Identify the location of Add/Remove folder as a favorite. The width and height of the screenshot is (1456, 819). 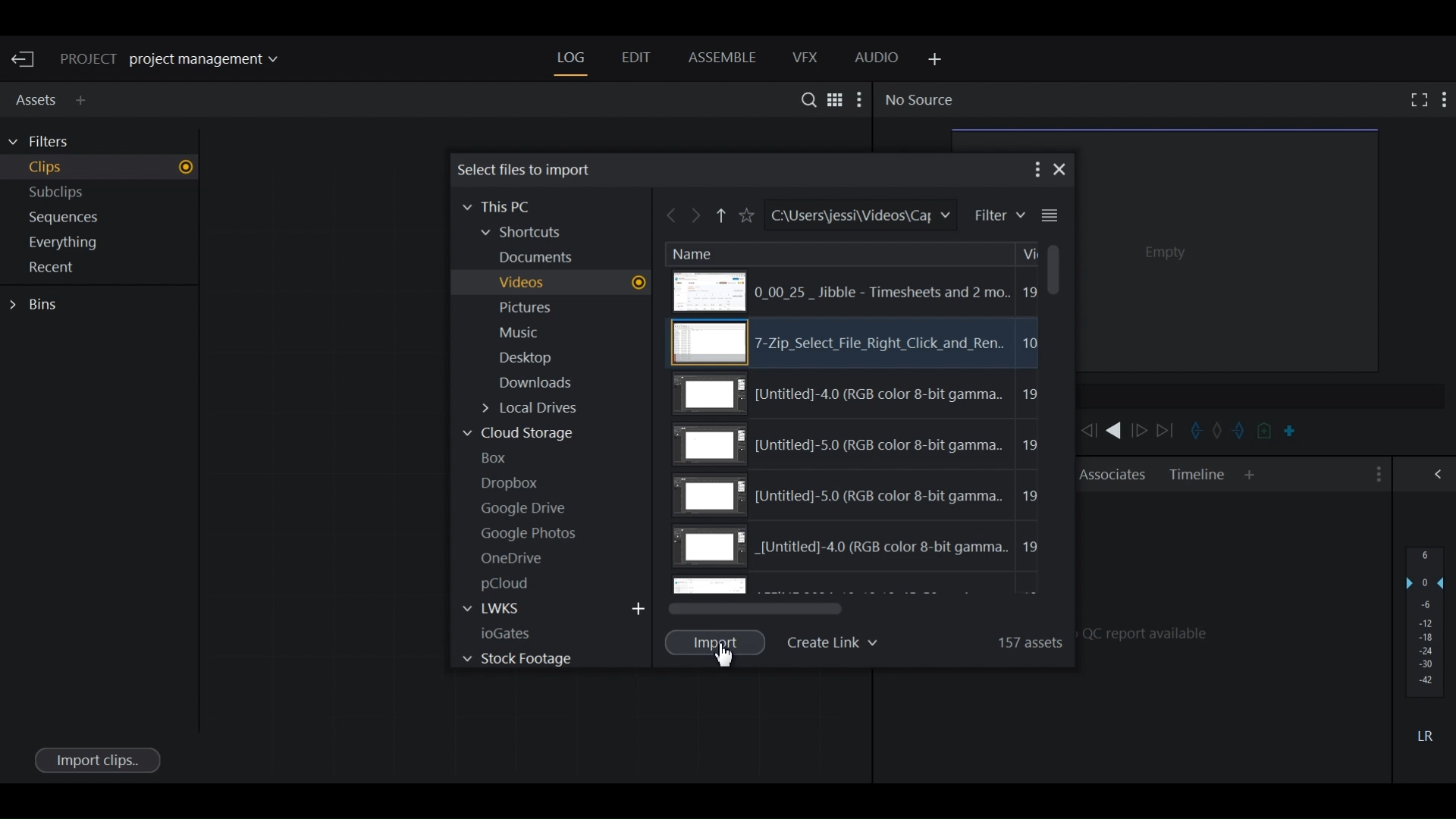
(745, 216).